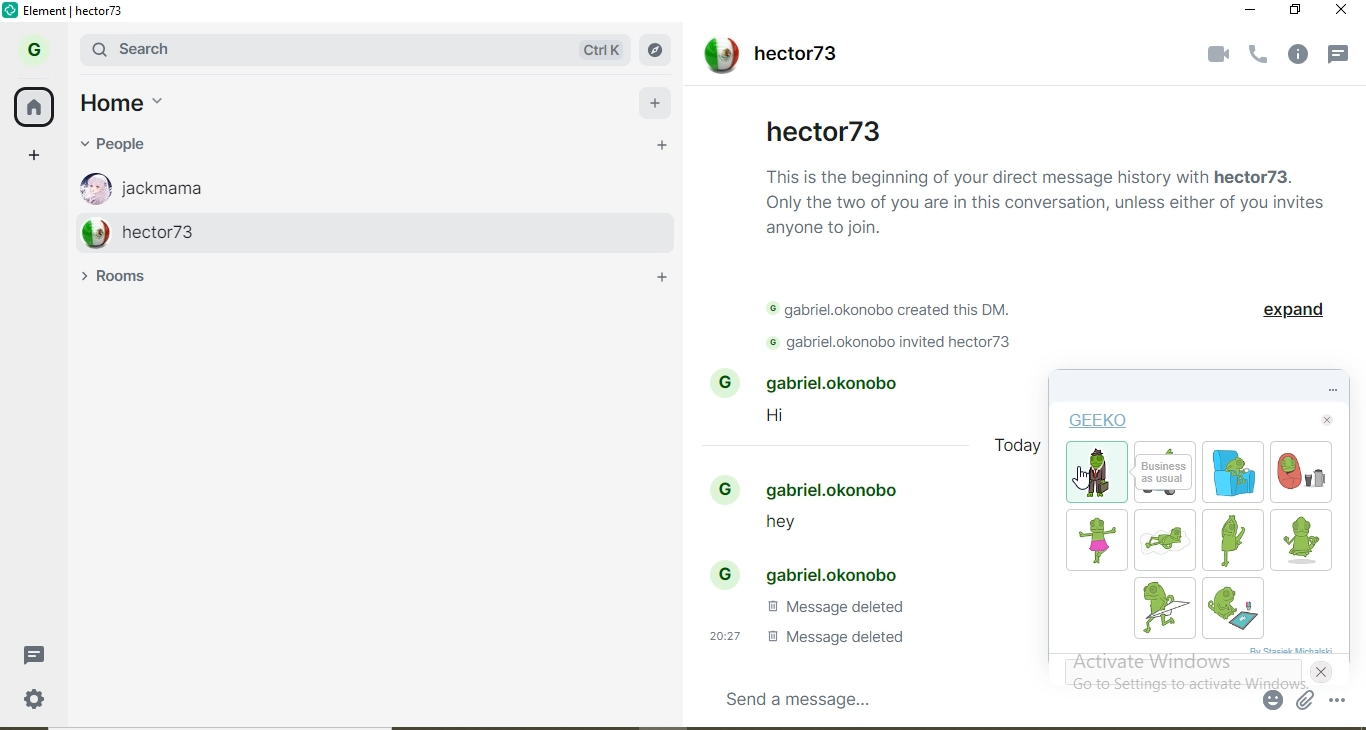  I want to click on sticker, so click(1229, 539).